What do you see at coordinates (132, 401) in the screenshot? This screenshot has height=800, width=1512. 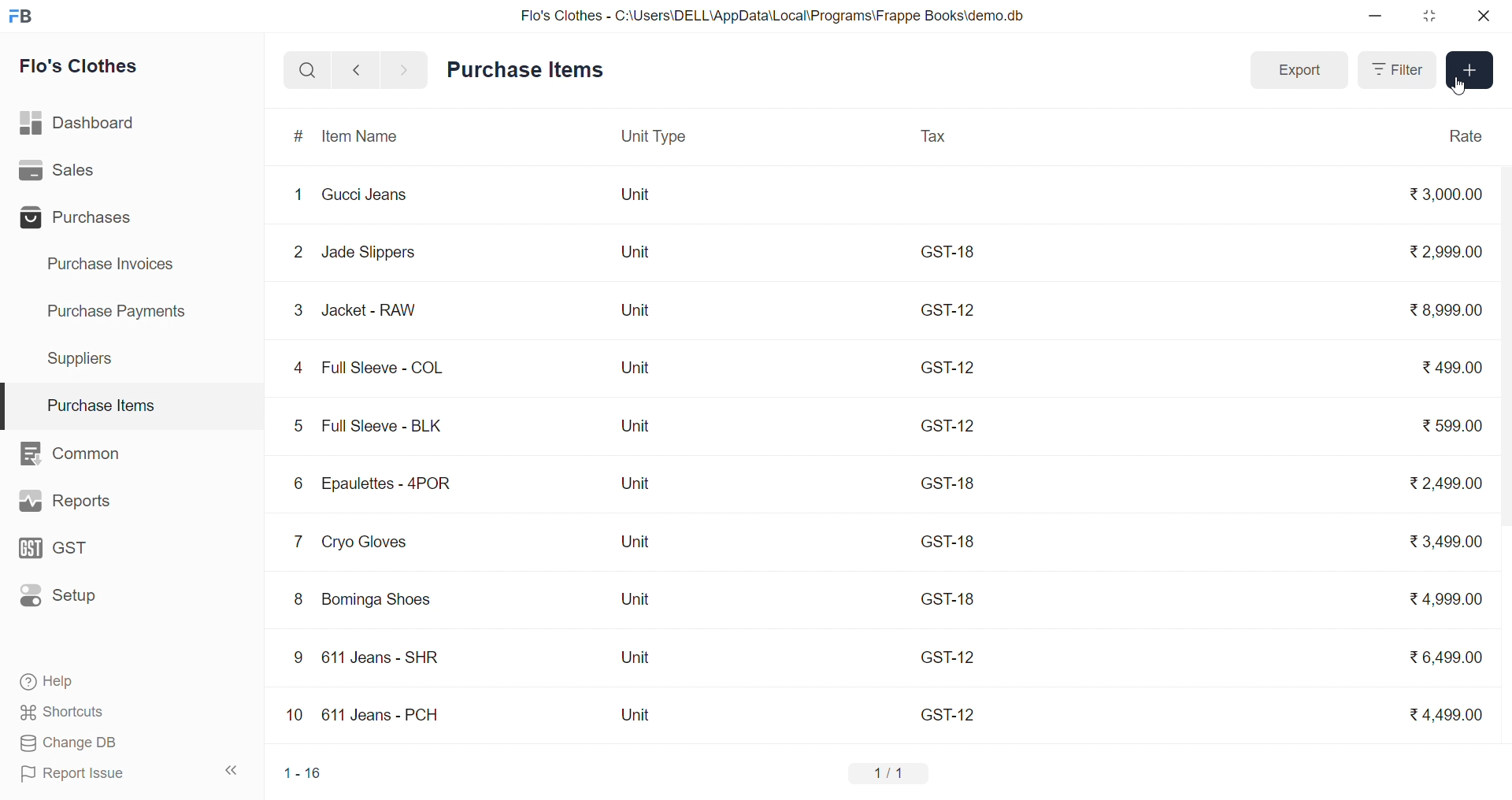 I see `Purchase Items` at bounding box center [132, 401].